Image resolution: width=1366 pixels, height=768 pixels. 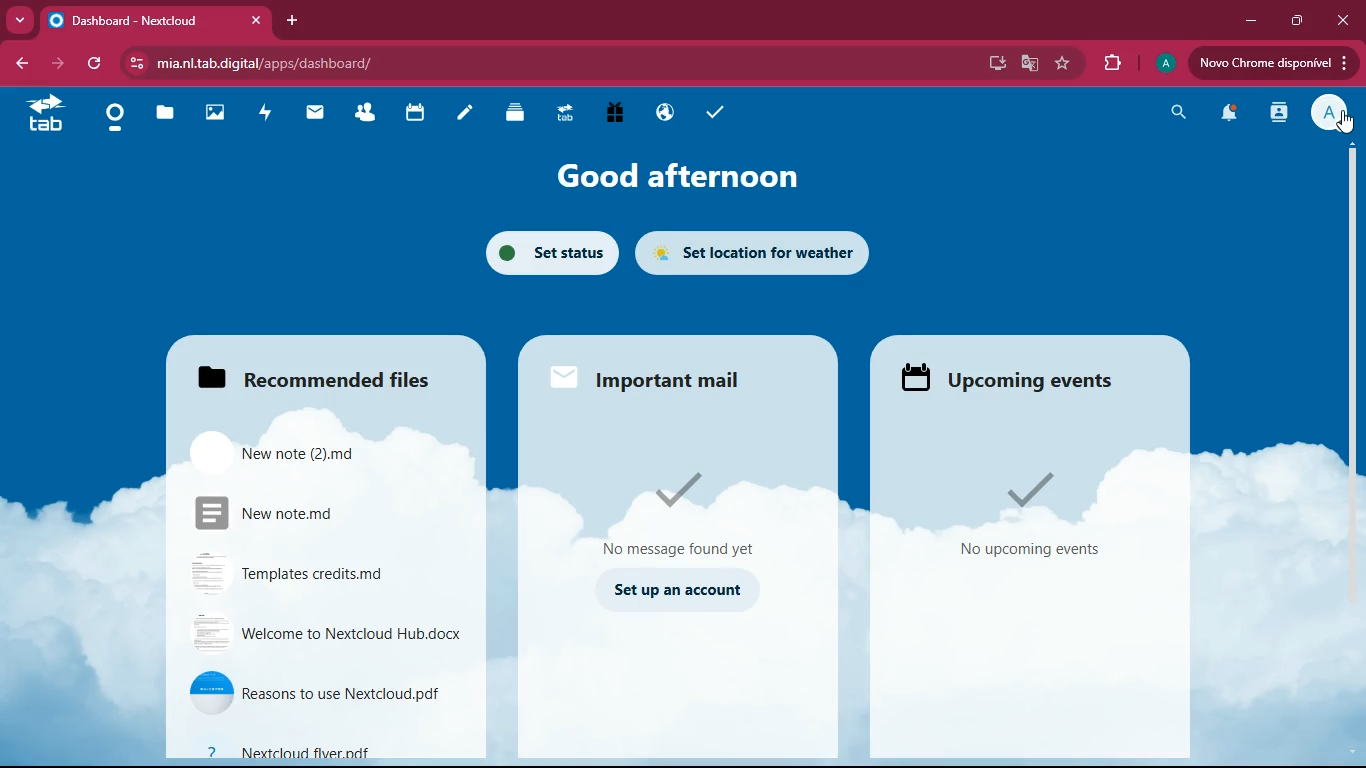 What do you see at coordinates (312, 375) in the screenshot?
I see `files` at bounding box center [312, 375].